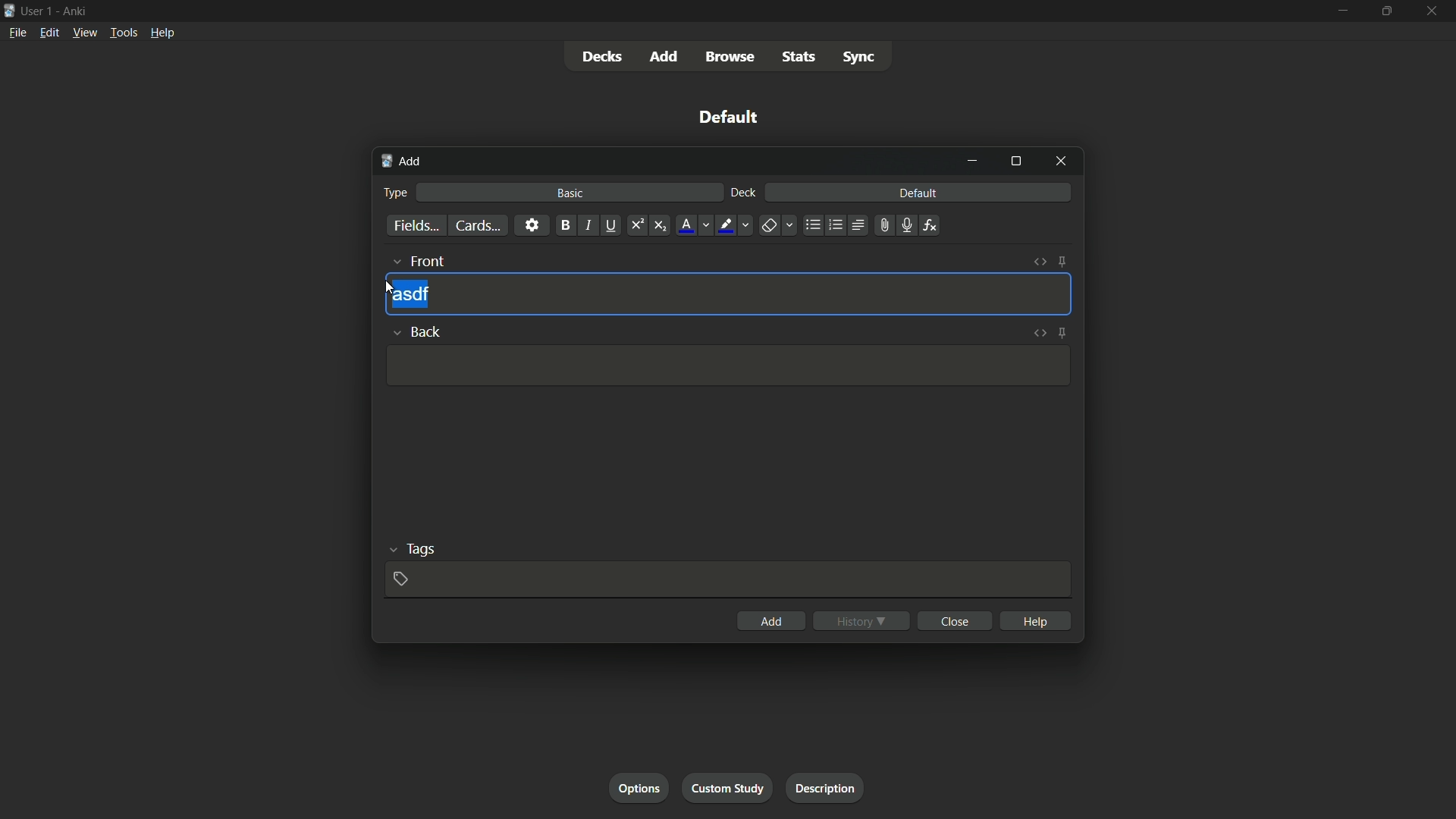  What do you see at coordinates (1062, 331) in the screenshot?
I see `toggle sticky` at bounding box center [1062, 331].